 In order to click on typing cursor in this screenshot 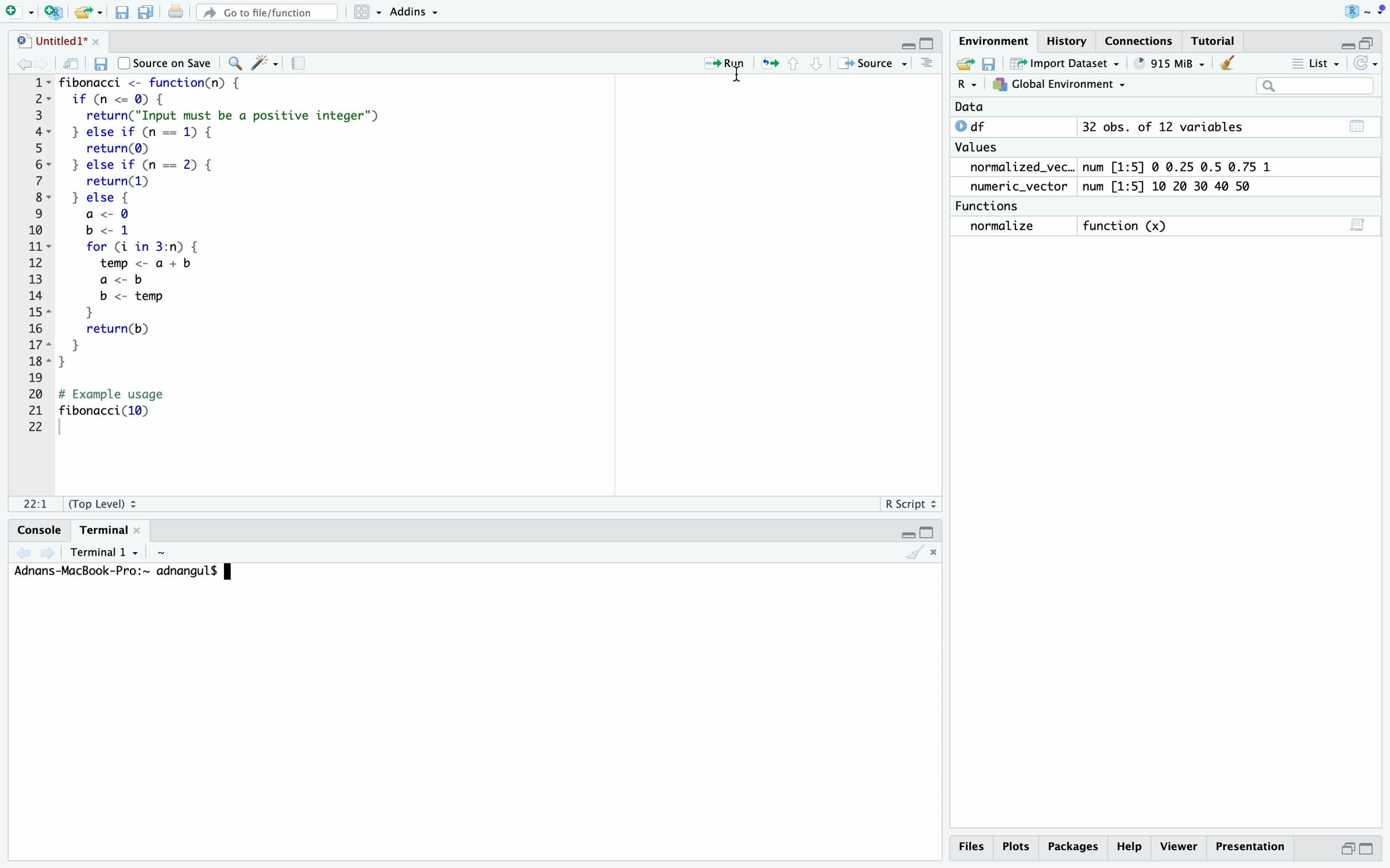, I will do `click(230, 574)`.